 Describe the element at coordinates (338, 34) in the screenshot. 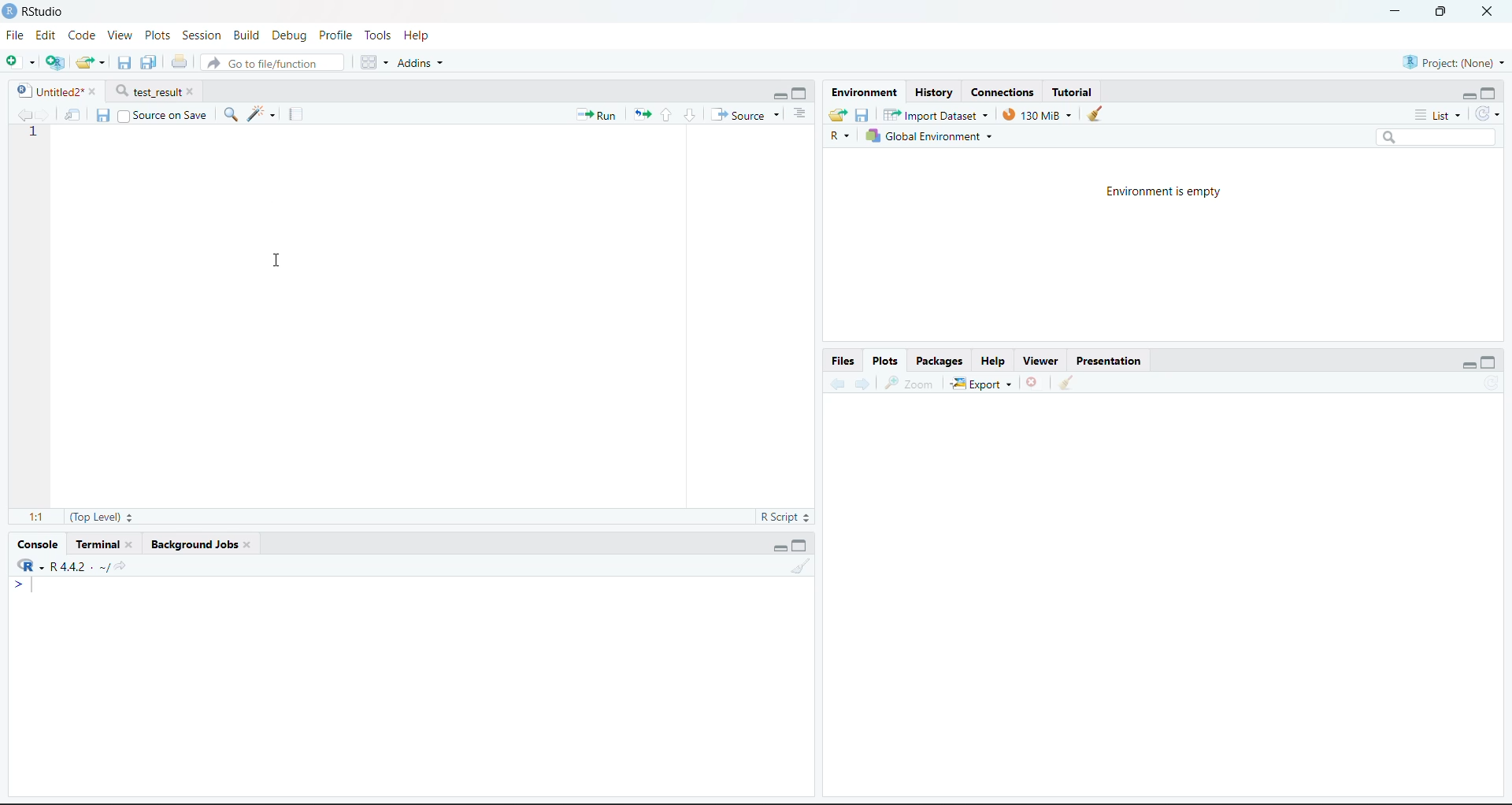

I see `Profile` at that location.